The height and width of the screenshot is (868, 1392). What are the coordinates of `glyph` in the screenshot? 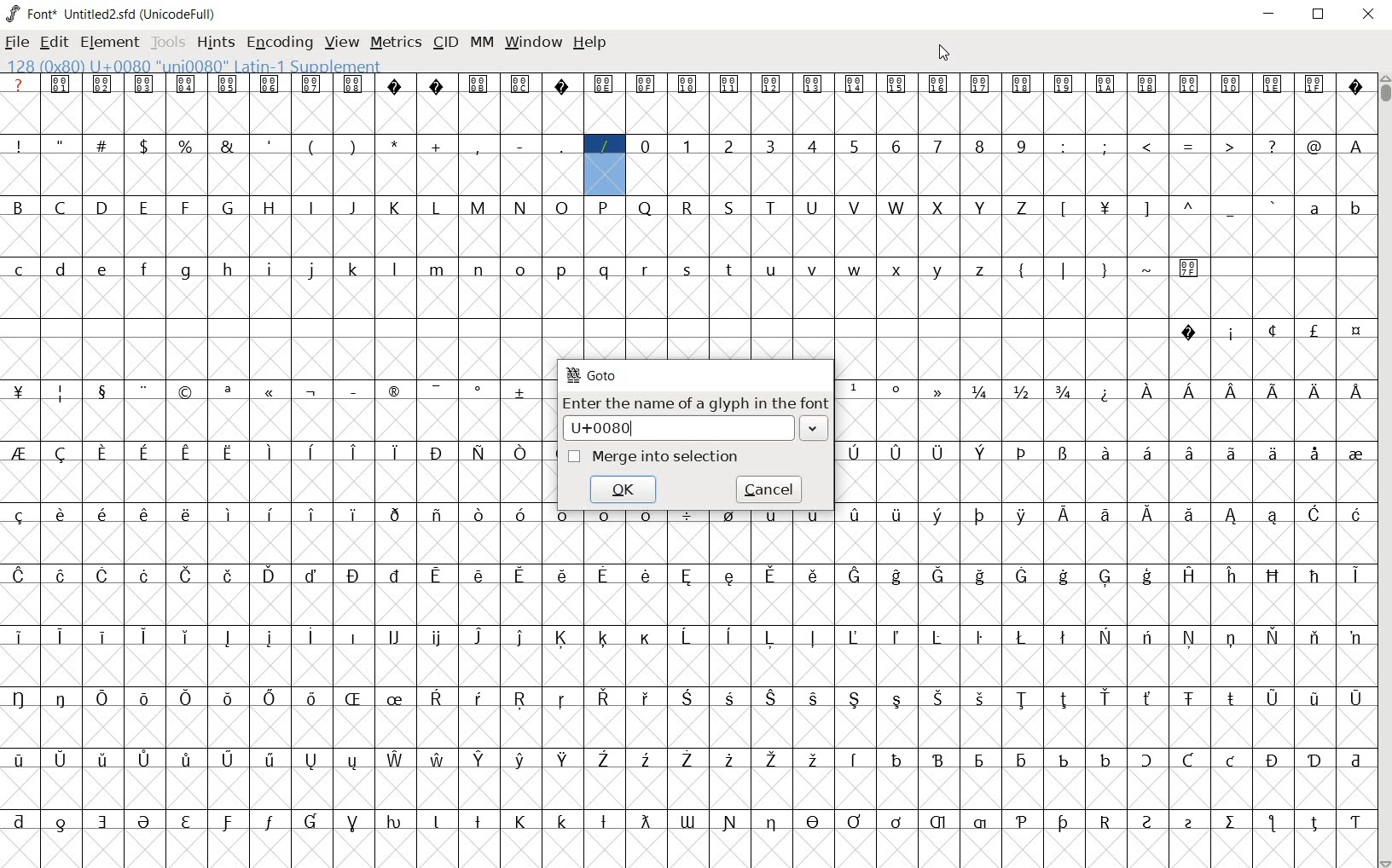 It's located at (519, 638).